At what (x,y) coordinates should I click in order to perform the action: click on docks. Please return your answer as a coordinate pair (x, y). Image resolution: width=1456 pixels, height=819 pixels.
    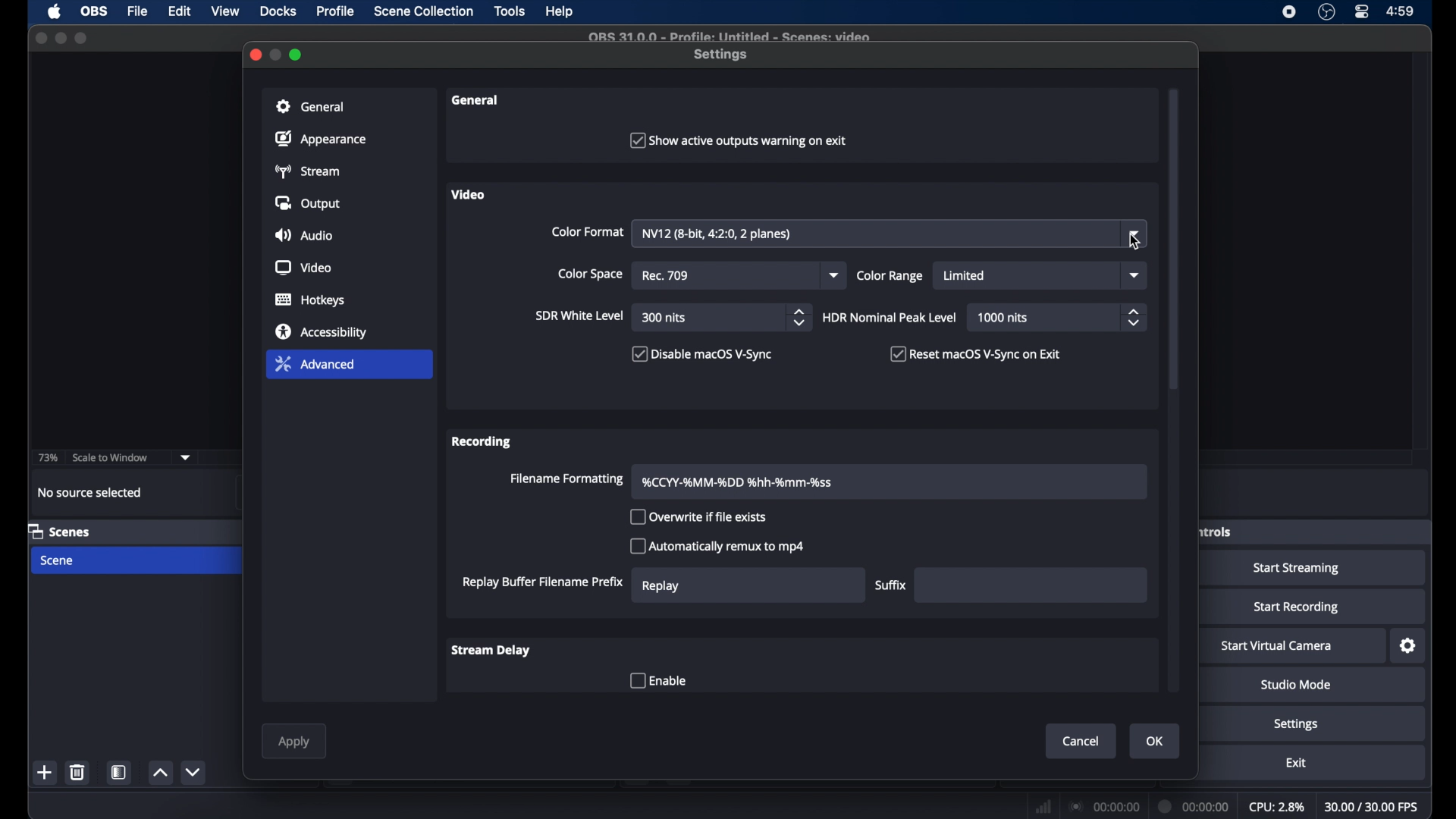
    Looking at the image, I should click on (278, 11).